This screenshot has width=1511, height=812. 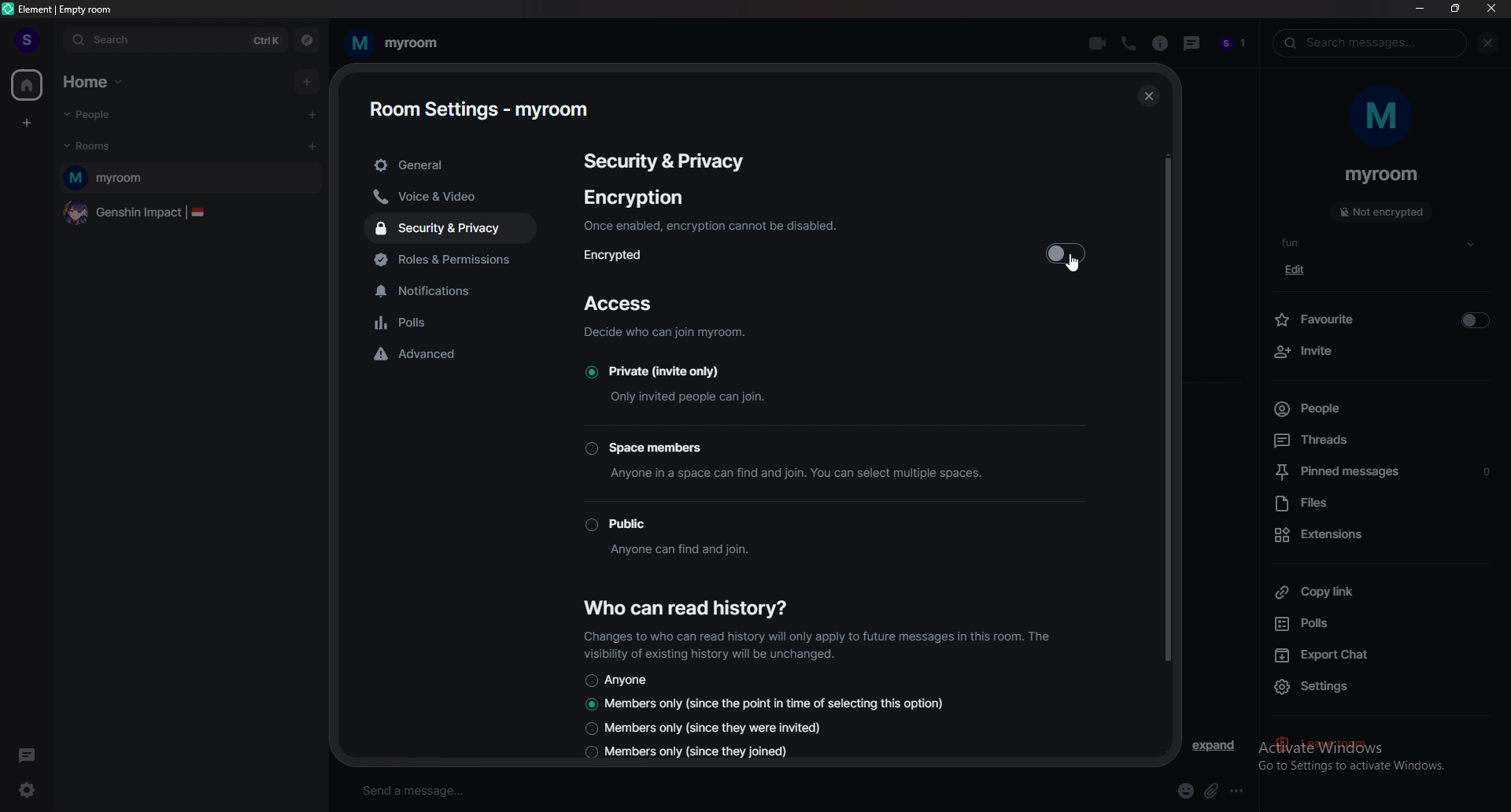 I want to click on export chat, so click(x=1379, y=655).